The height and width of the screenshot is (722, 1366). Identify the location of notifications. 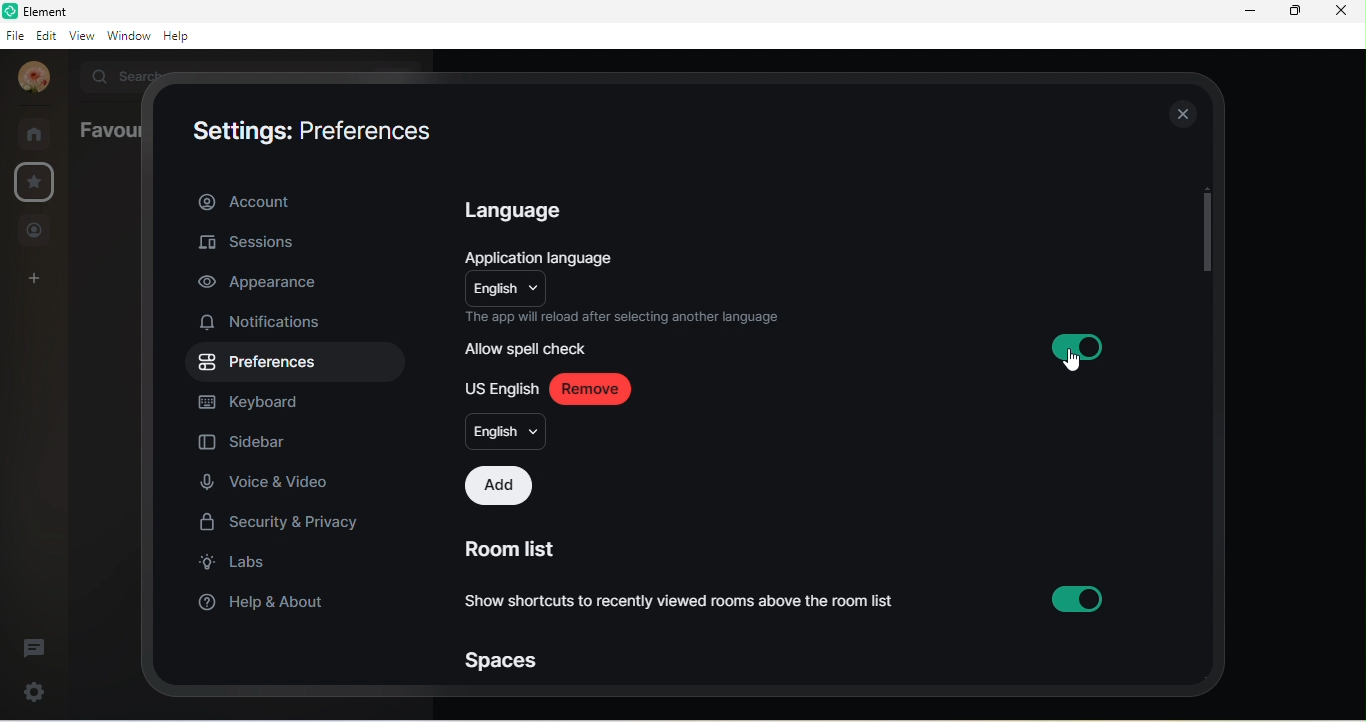
(275, 325).